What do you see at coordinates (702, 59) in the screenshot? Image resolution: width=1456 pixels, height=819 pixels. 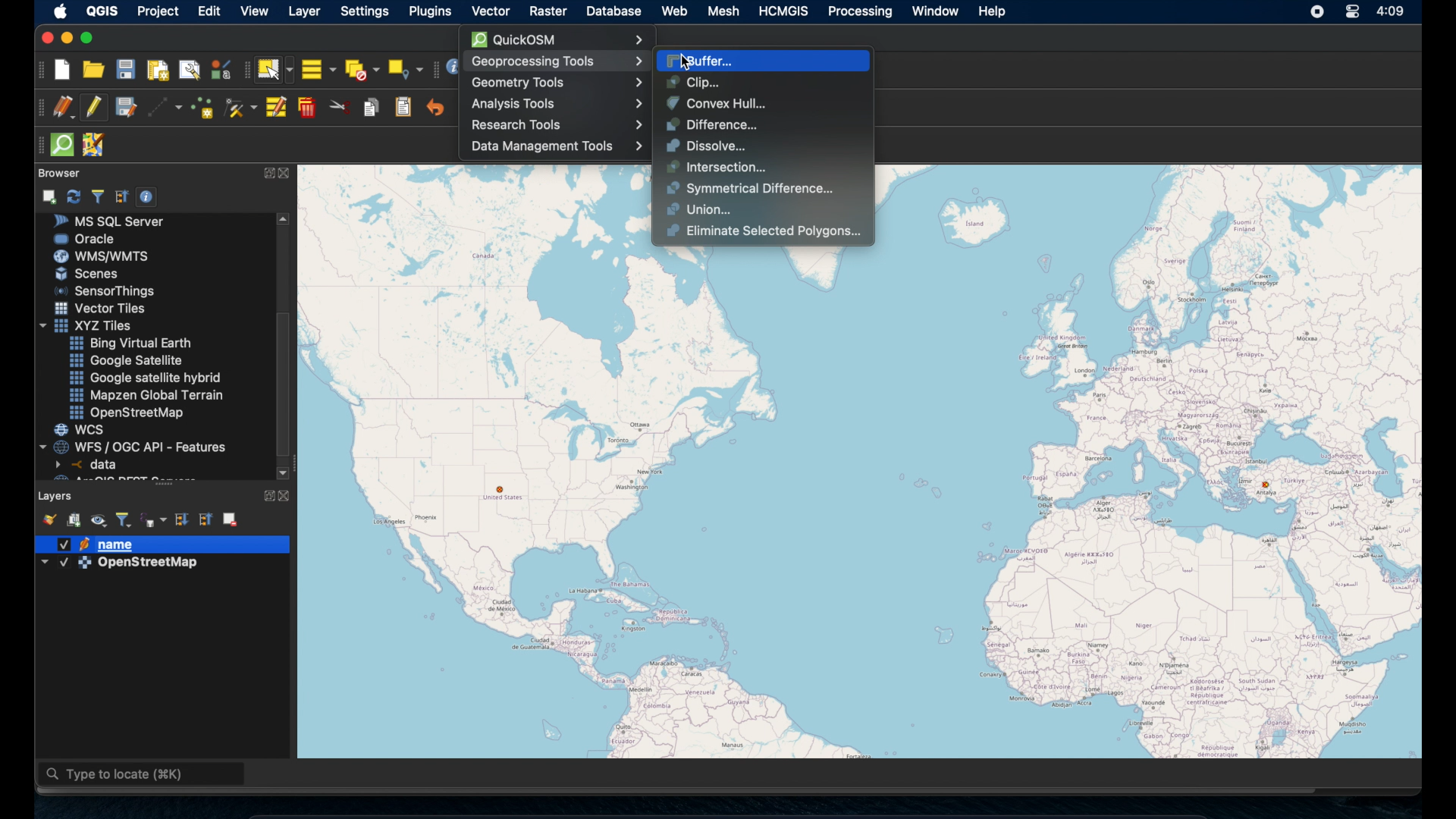 I see `Buffer...` at bounding box center [702, 59].